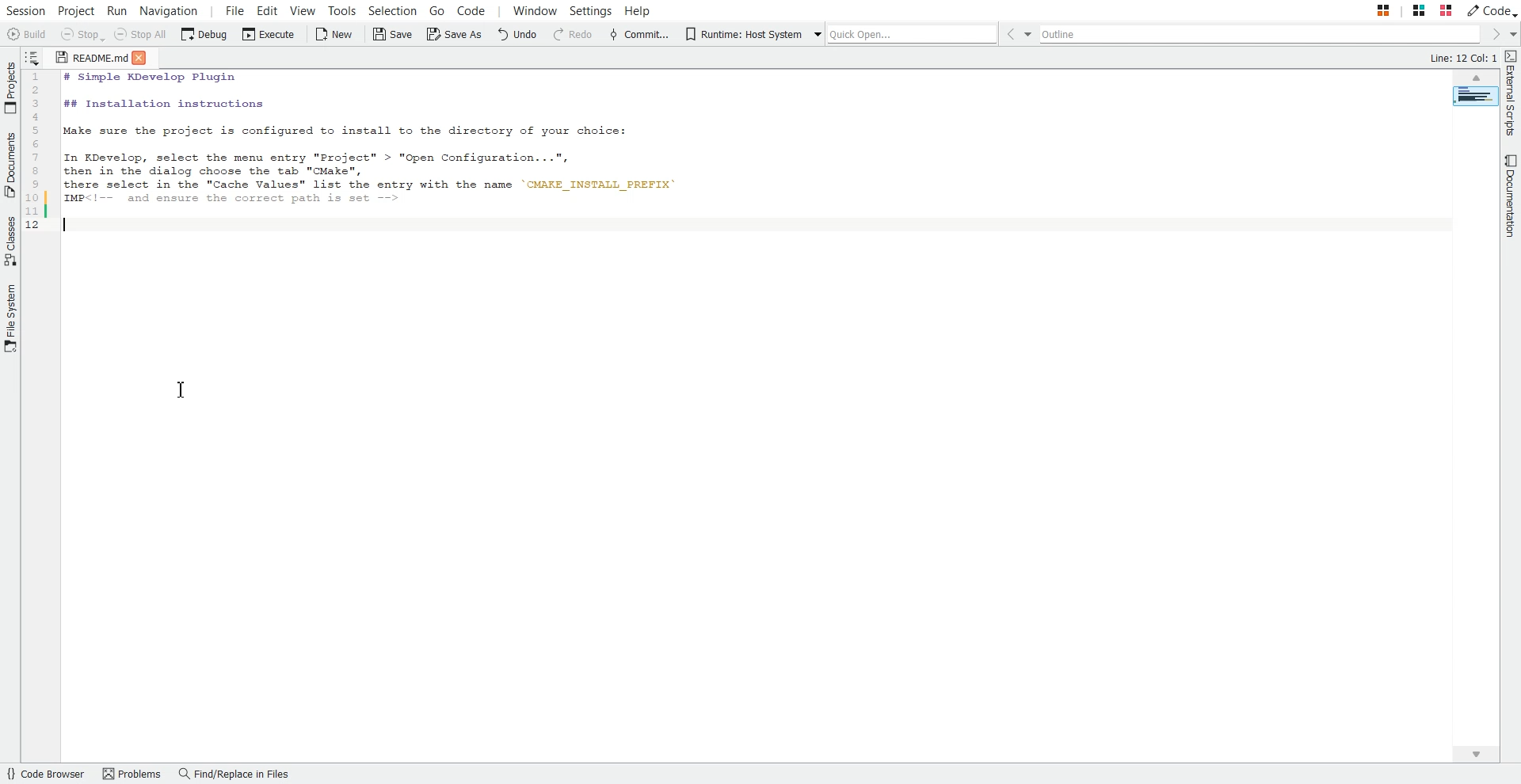 The width and height of the screenshot is (1521, 784). I want to click on Save As, so click(453, 35).